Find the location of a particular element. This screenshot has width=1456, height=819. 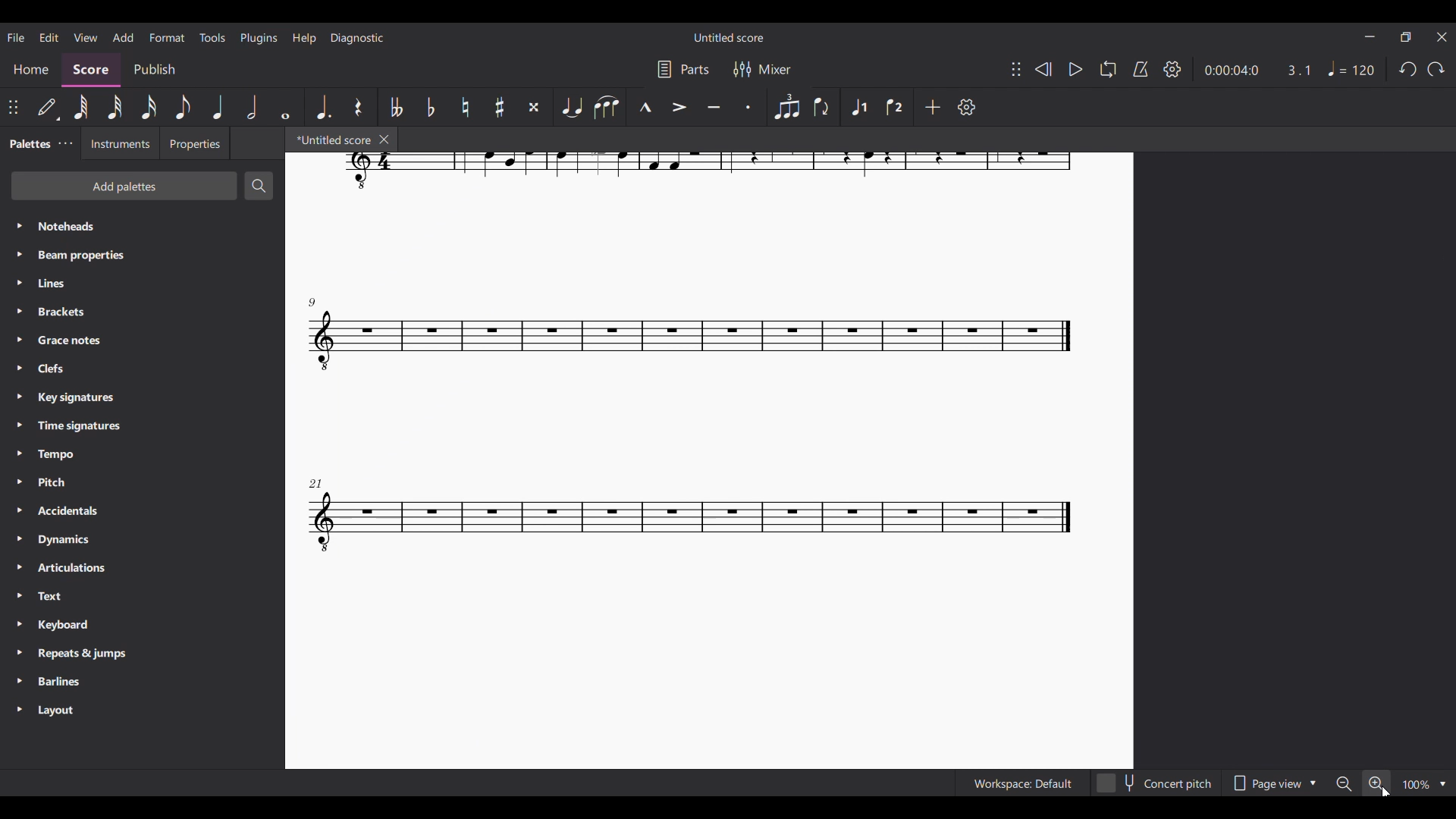

Toggle sharp is located at coordinates (499, 107).